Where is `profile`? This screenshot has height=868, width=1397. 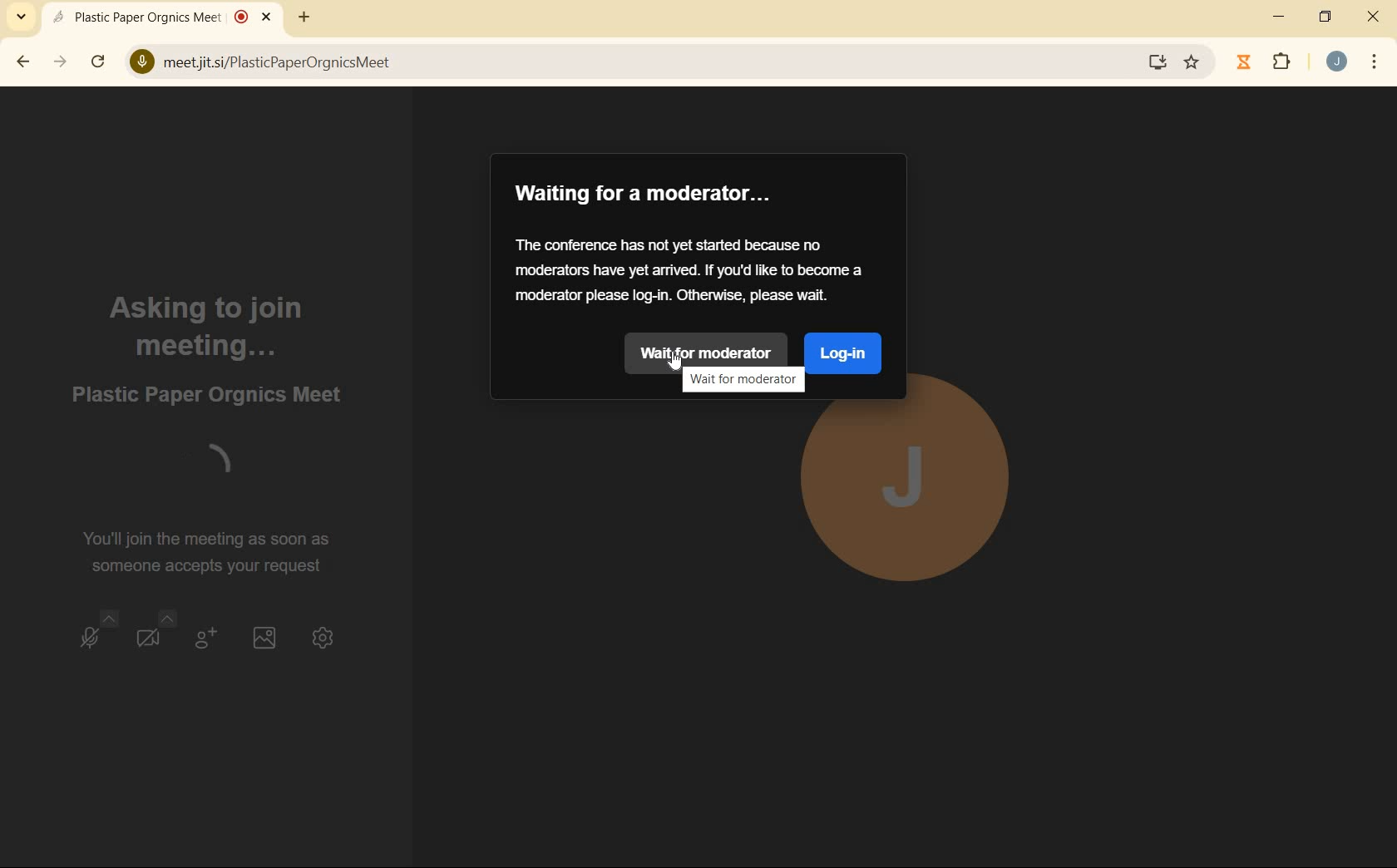
profile is located at coordinates (910, 496).